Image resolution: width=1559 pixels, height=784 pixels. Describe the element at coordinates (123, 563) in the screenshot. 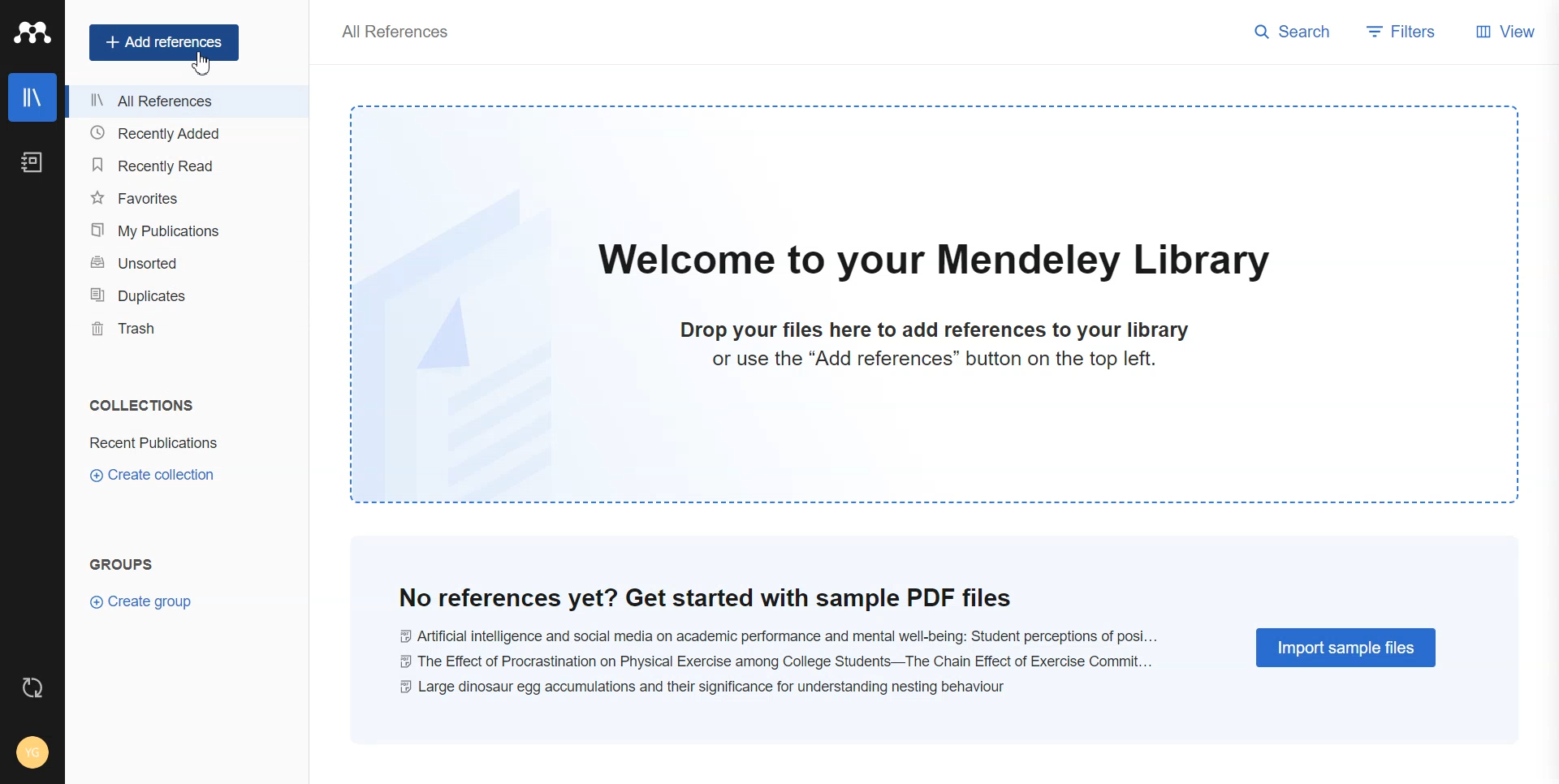

I see `Groups` at that location.